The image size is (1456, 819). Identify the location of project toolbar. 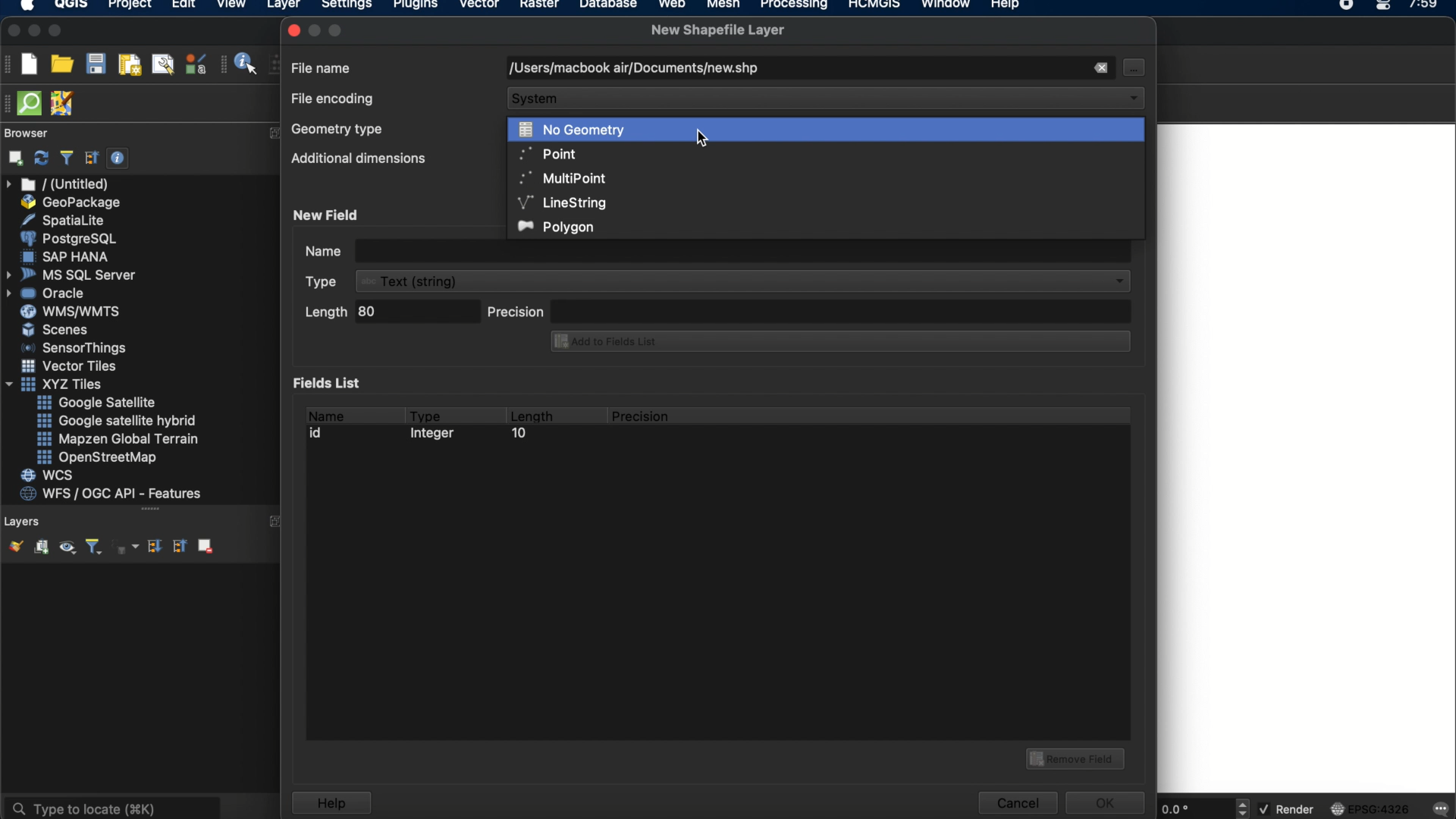
(9, 64).